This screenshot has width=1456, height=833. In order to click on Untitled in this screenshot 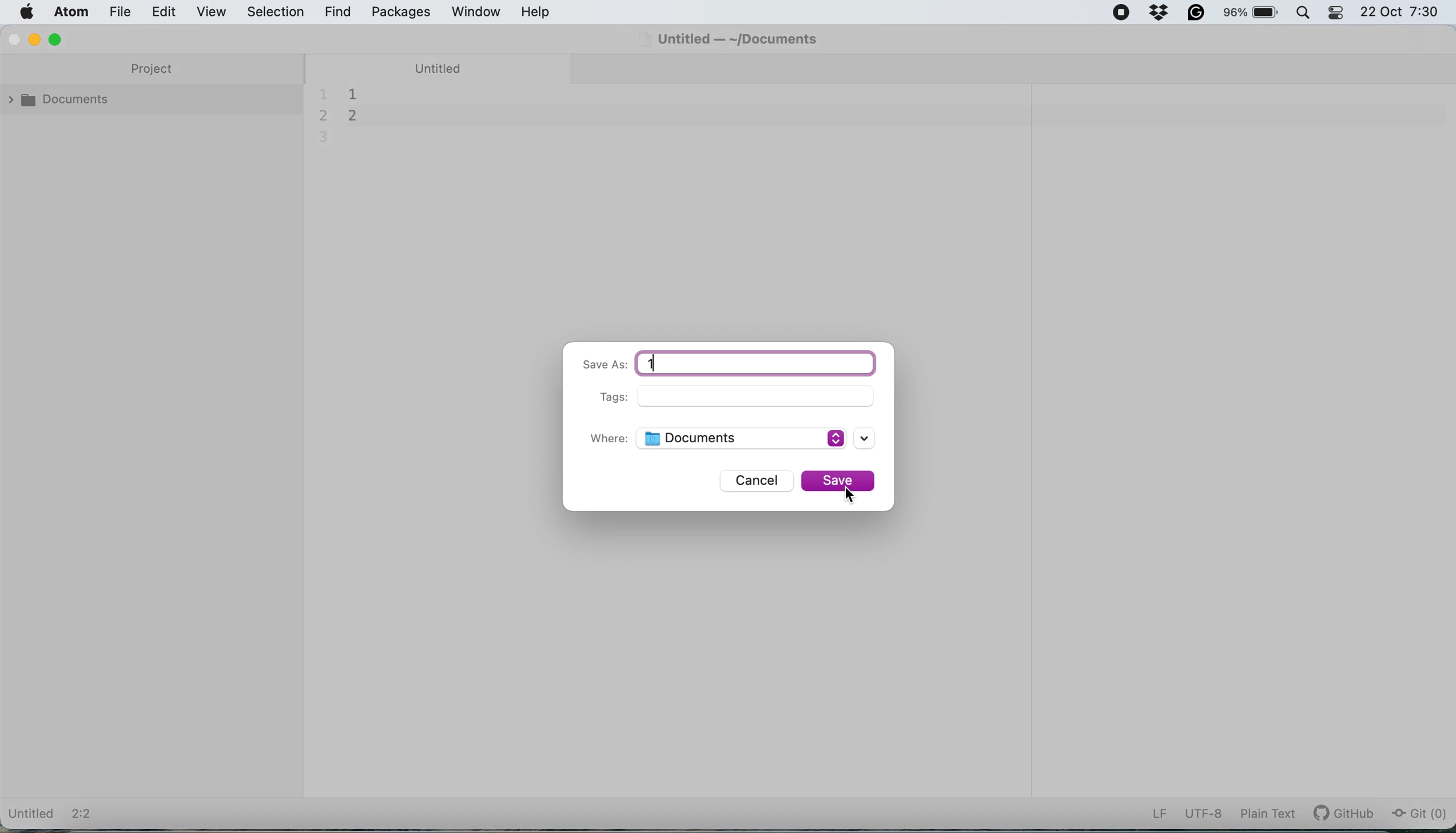, I will do `click(32, 815)`.